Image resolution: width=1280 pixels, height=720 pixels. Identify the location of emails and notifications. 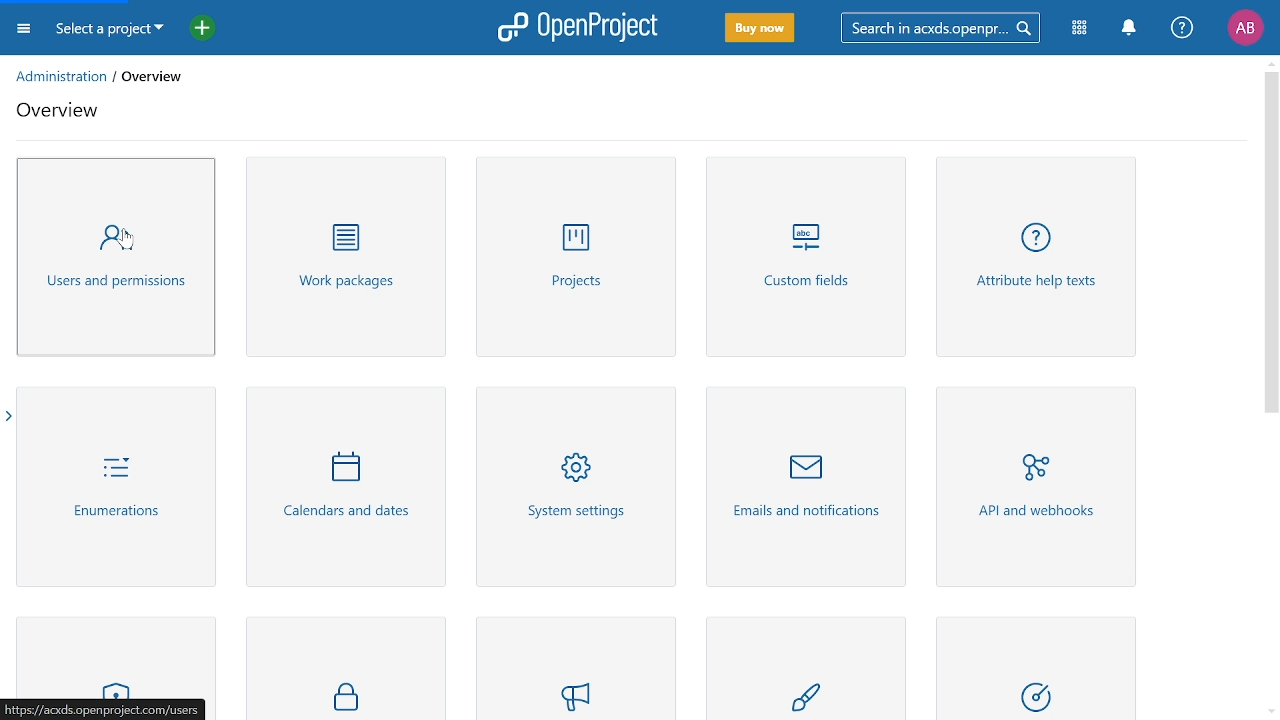
(806, 485).